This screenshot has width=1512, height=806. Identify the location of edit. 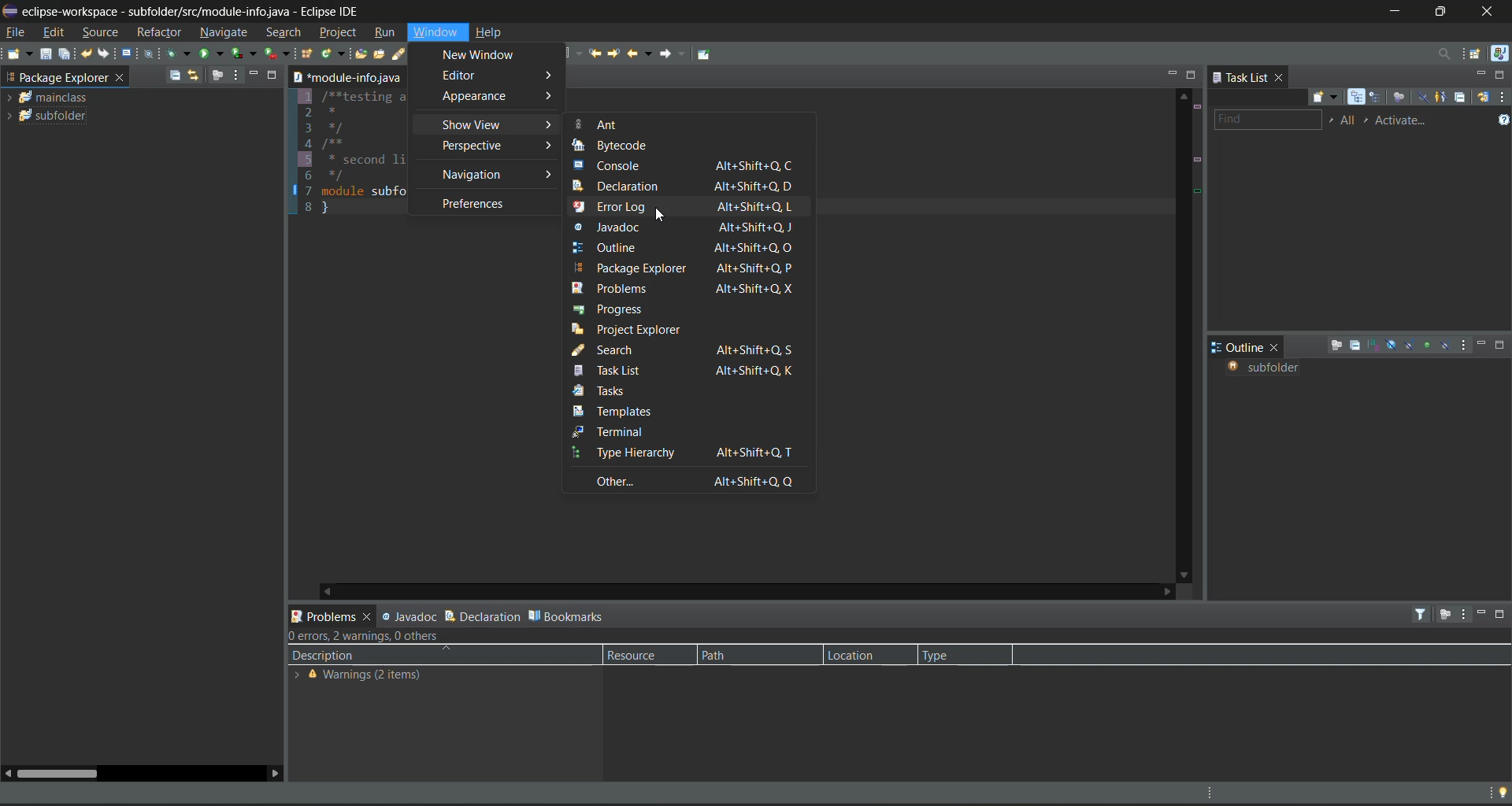
(57, 33).